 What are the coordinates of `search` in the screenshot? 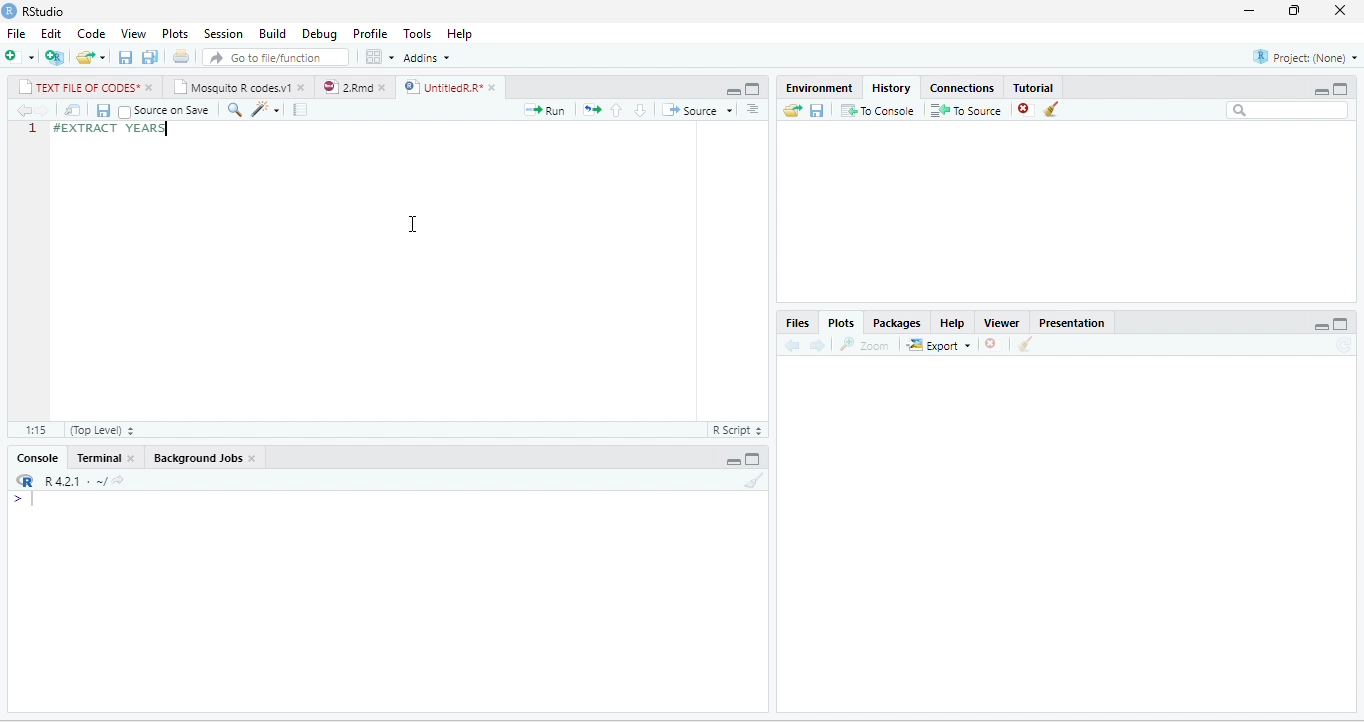 It's located at (234, 110).